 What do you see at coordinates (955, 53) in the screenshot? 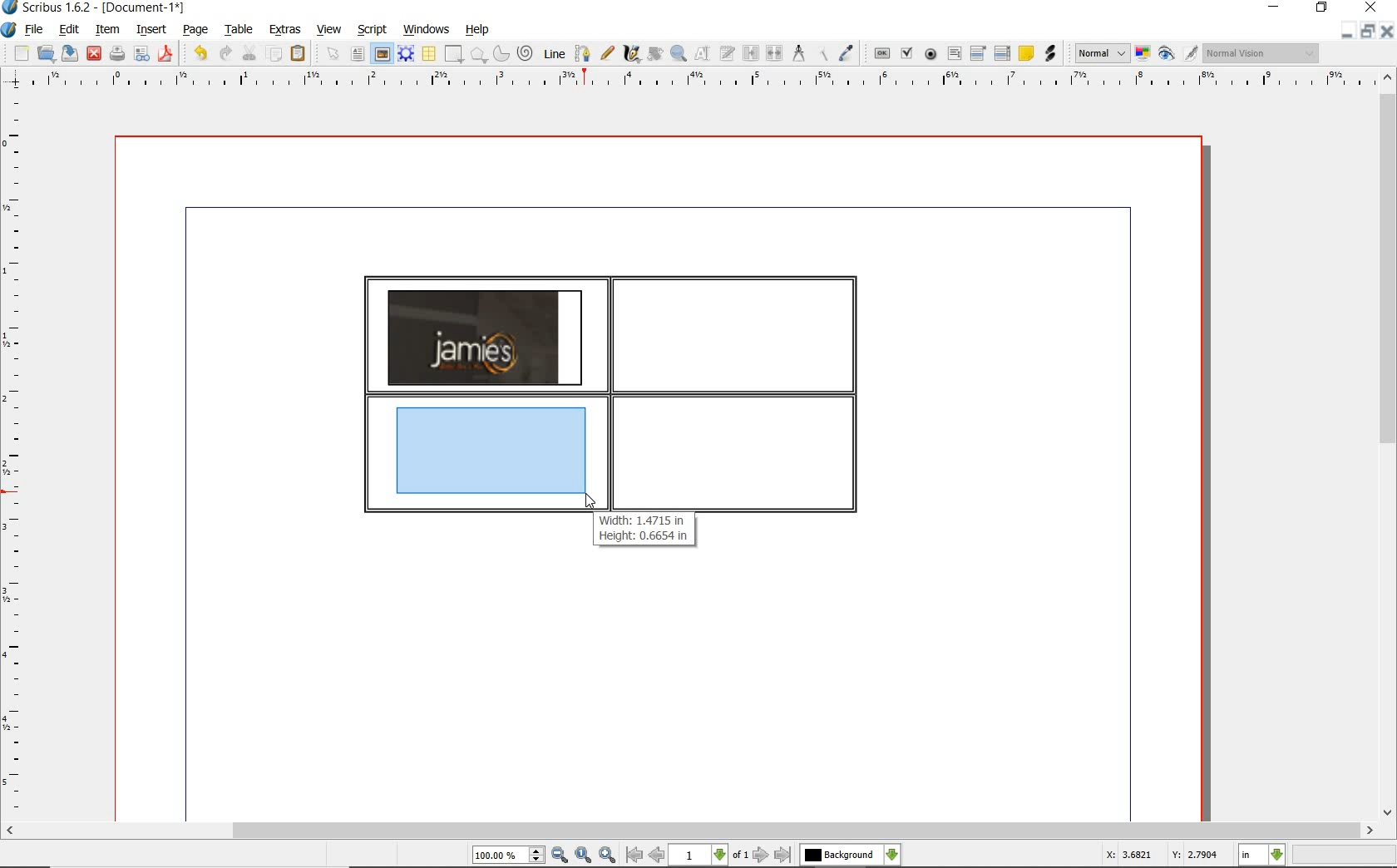
I see `pdf text field` at bounding box center [955, 53].